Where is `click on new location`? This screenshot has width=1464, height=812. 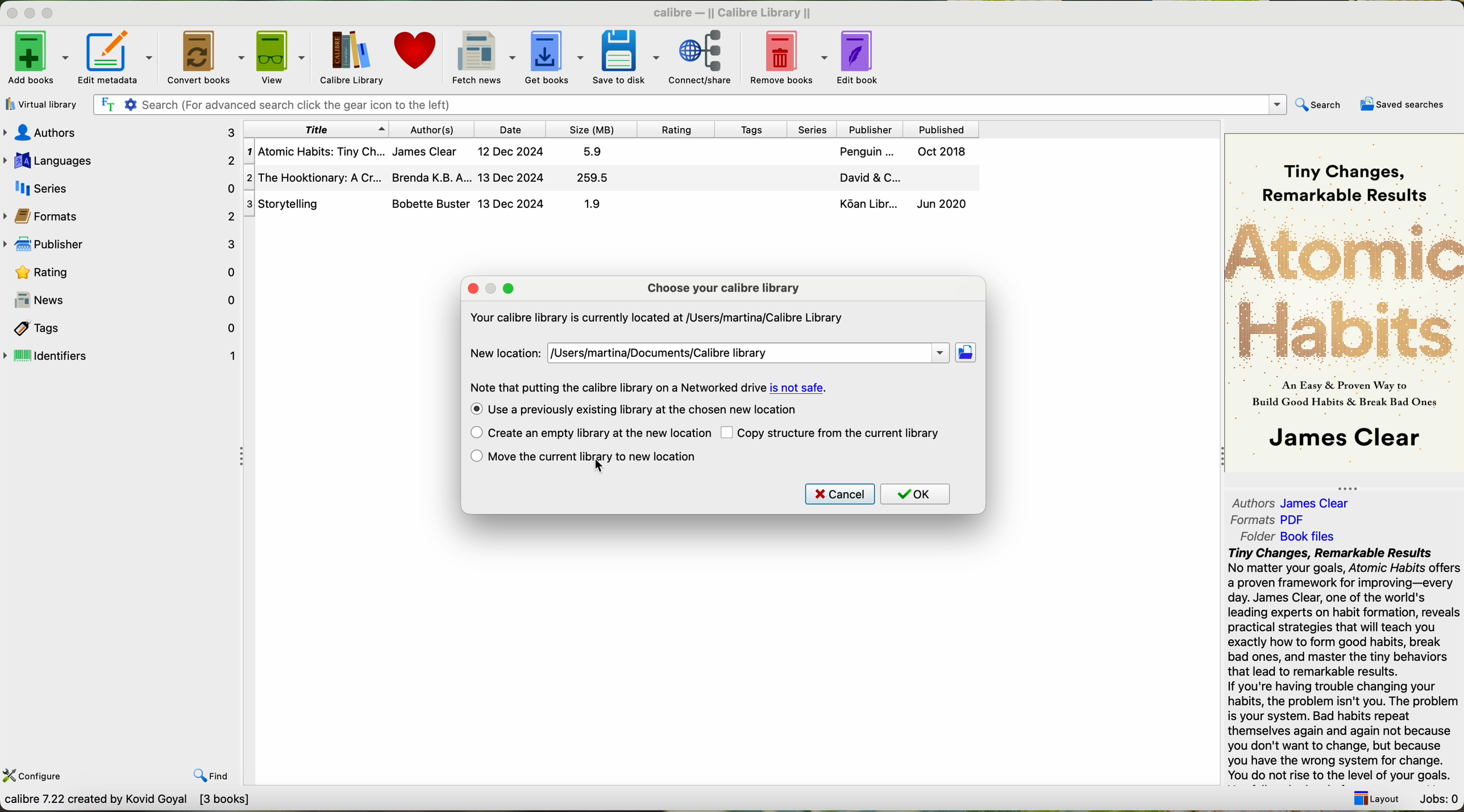
click on new location is located at coordinates (968, 354).